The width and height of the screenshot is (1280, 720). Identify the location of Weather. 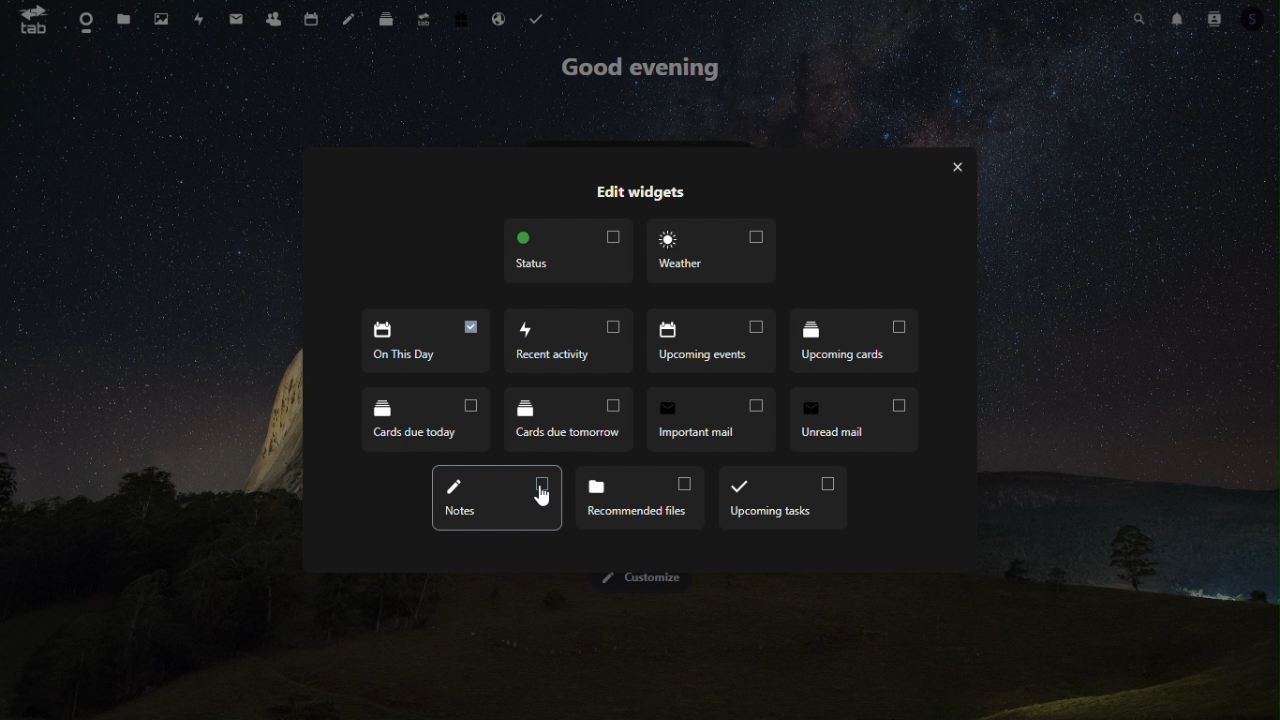
(710, 251).